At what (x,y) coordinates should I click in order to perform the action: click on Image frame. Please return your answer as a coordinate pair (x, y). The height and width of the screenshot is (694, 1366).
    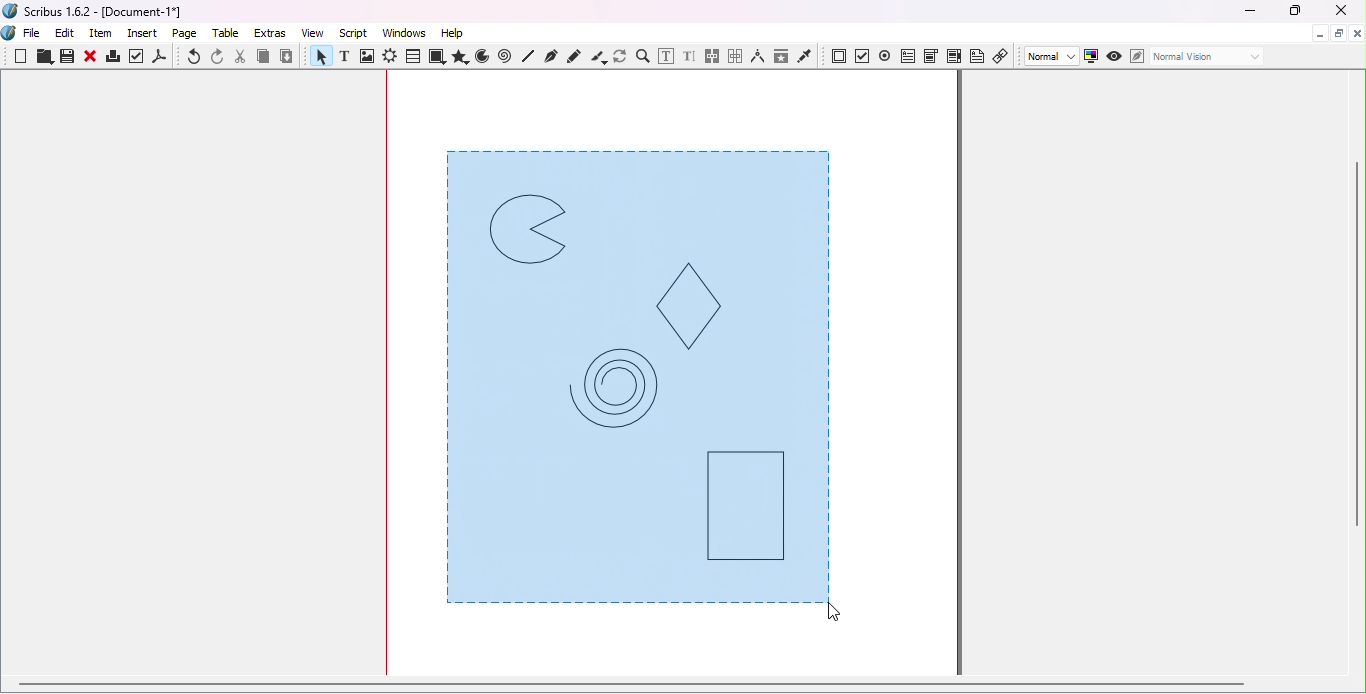
    Looking at the image, I should click on (369, 58).